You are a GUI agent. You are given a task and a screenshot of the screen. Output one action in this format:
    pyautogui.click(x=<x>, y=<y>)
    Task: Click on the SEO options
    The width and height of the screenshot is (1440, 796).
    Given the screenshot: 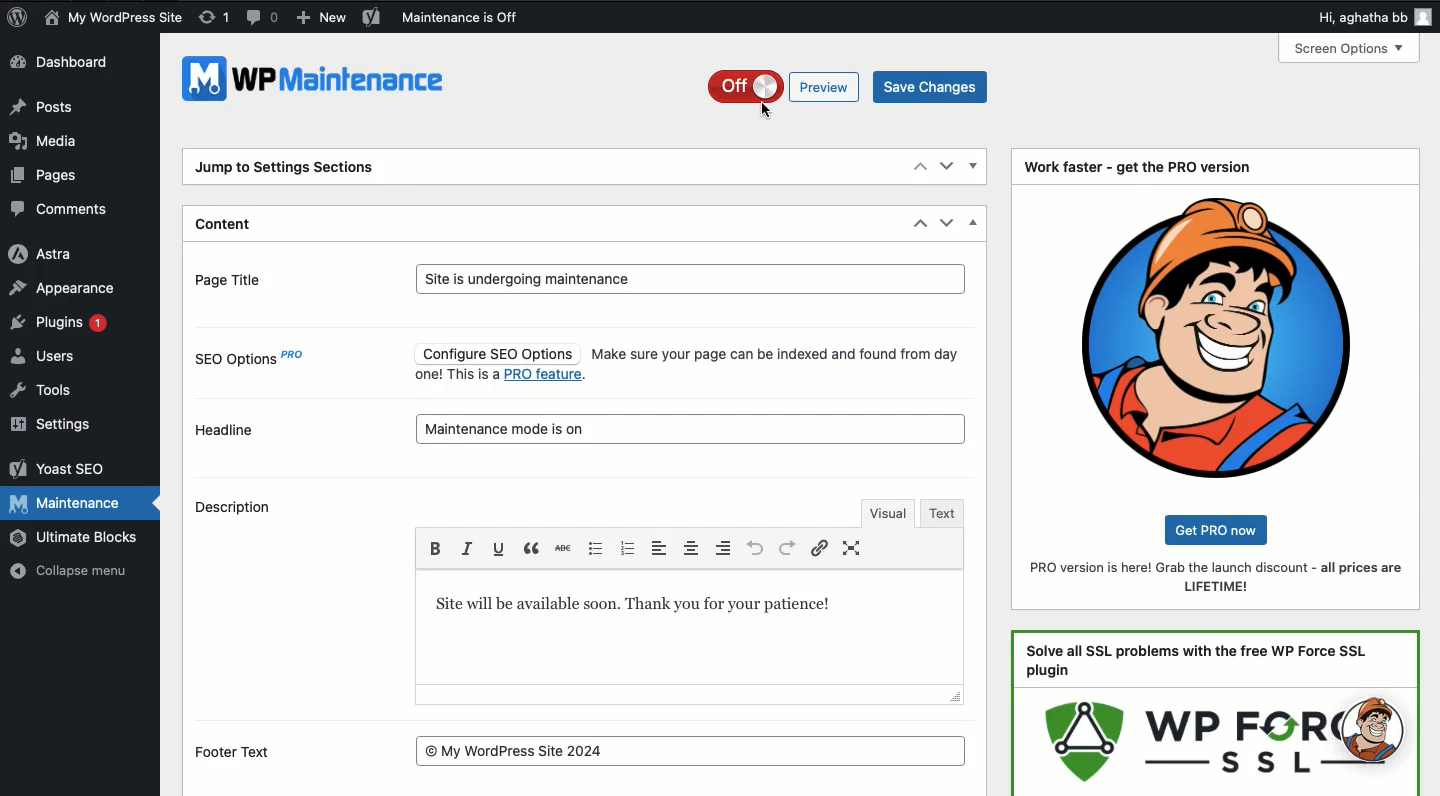 What is the action you would take?
    pyautogui.click(x=254, y=363)
    